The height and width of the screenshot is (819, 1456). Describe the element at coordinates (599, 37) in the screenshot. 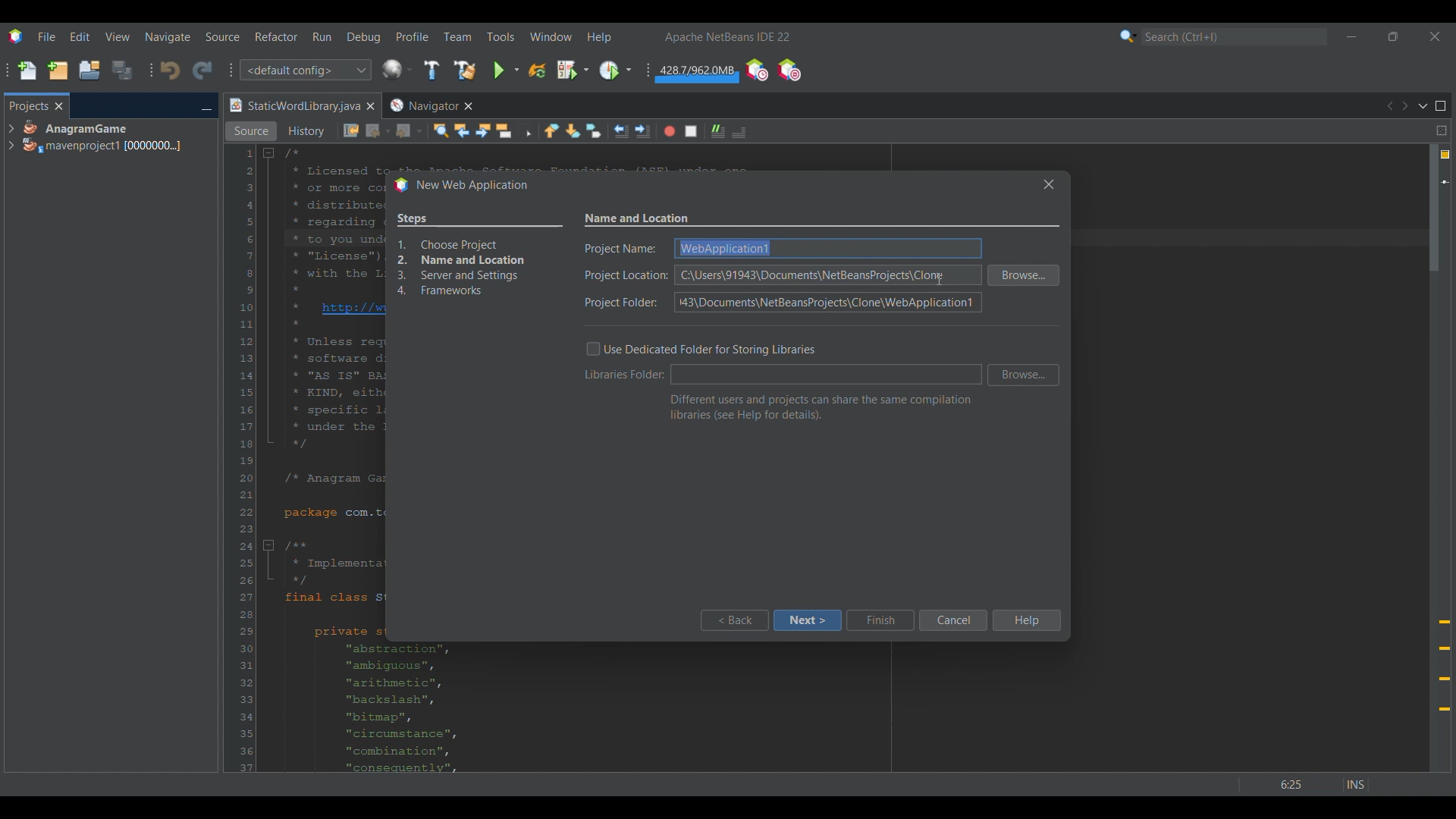

I see `Help menu` at that location.